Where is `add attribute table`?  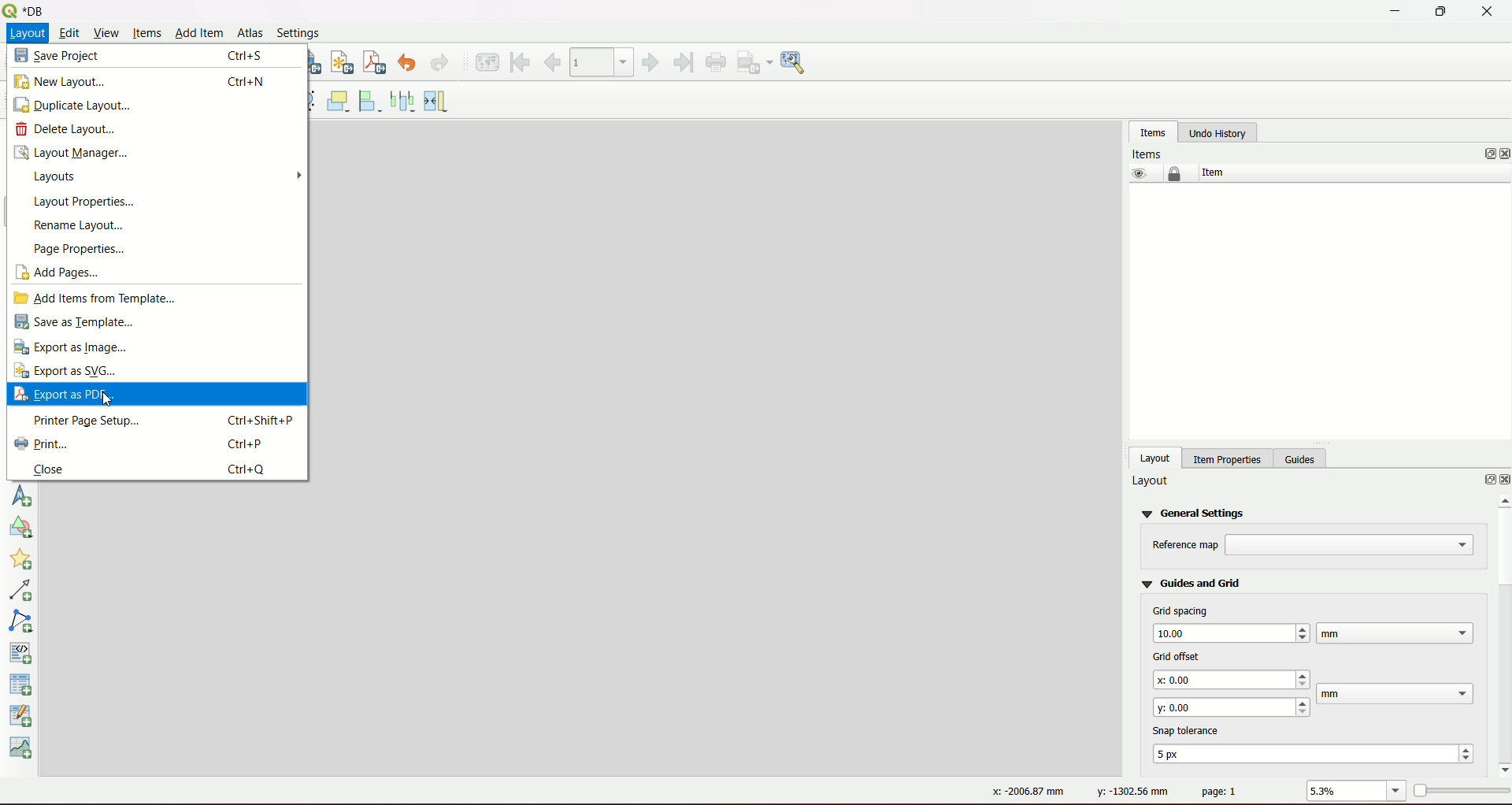 add attribute table is located at coordinates (23, 718).